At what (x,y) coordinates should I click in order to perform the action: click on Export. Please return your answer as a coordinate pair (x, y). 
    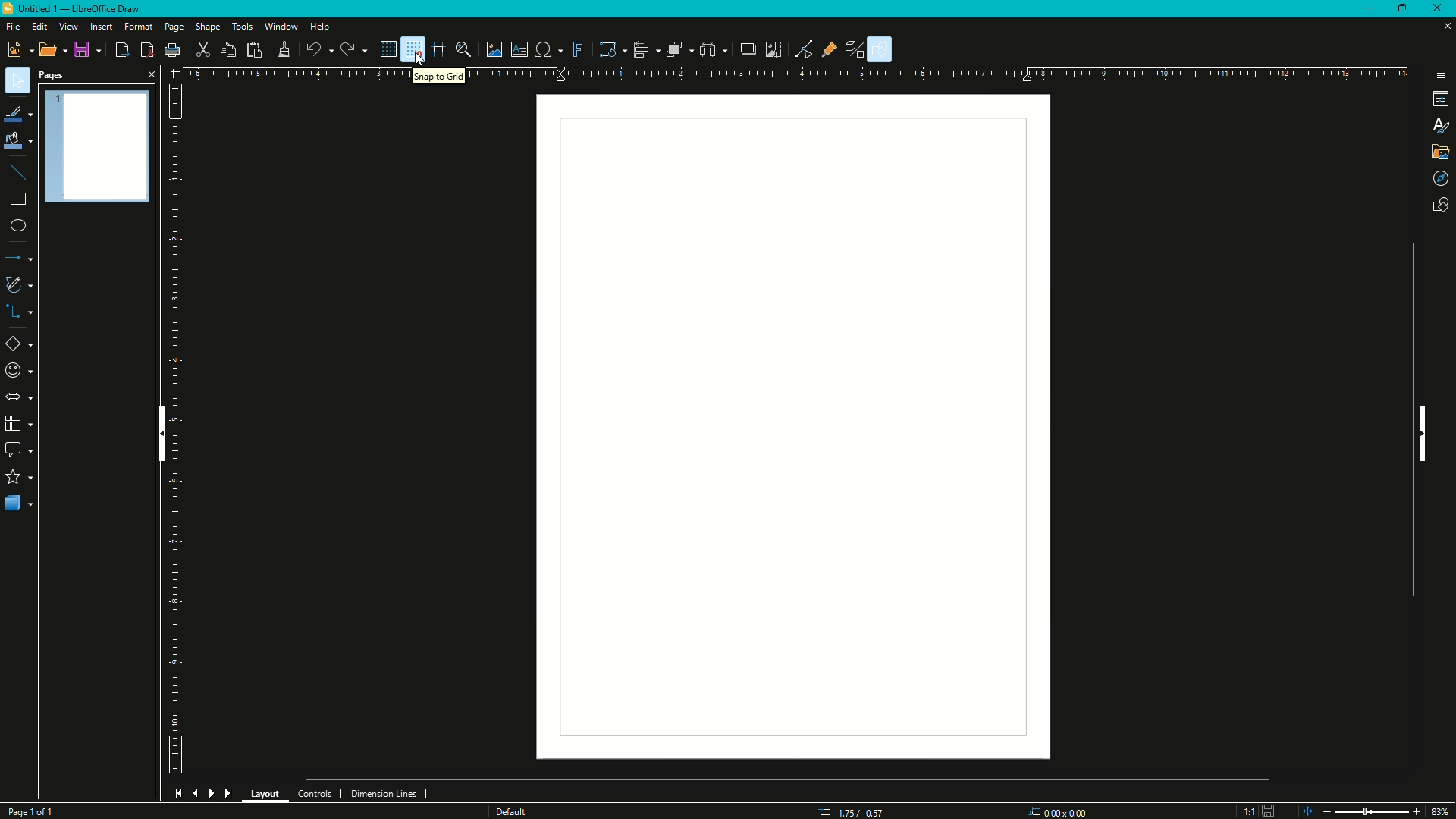
    Looking at the image, I should click on (118, 50).